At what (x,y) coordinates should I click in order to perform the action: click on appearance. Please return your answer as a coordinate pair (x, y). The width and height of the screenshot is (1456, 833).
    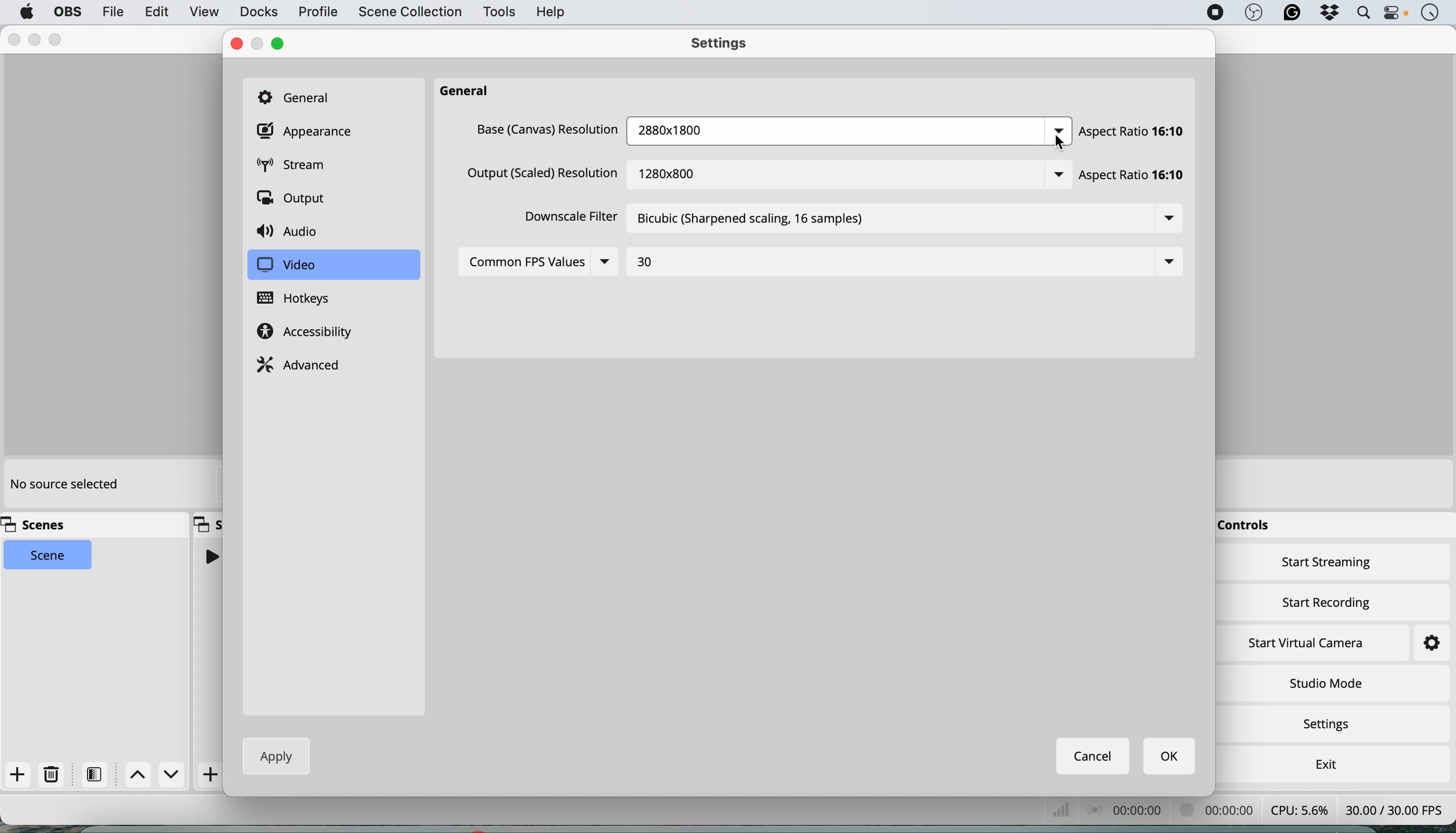
    Looking at the image, I should click on (308, 132).